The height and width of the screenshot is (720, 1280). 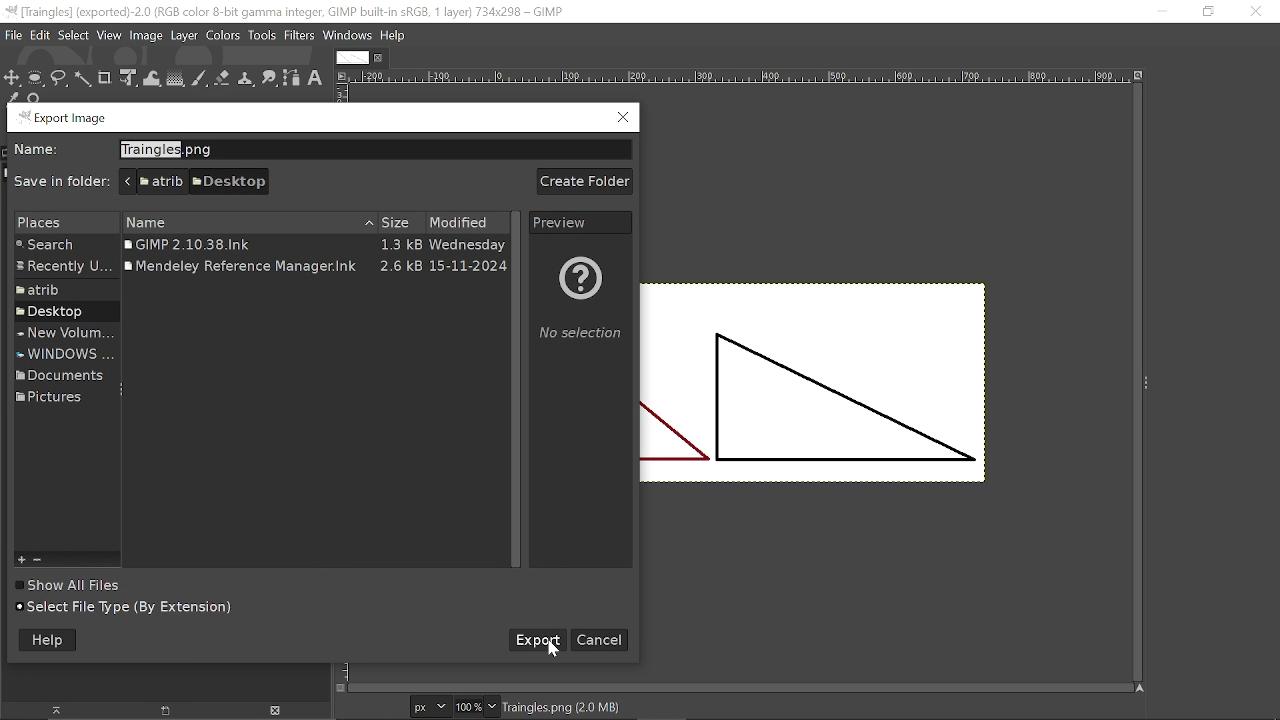 What do you see at coordinates (64, 354) in the screenshot?
I see `folder` at bounding box center [64, 354].